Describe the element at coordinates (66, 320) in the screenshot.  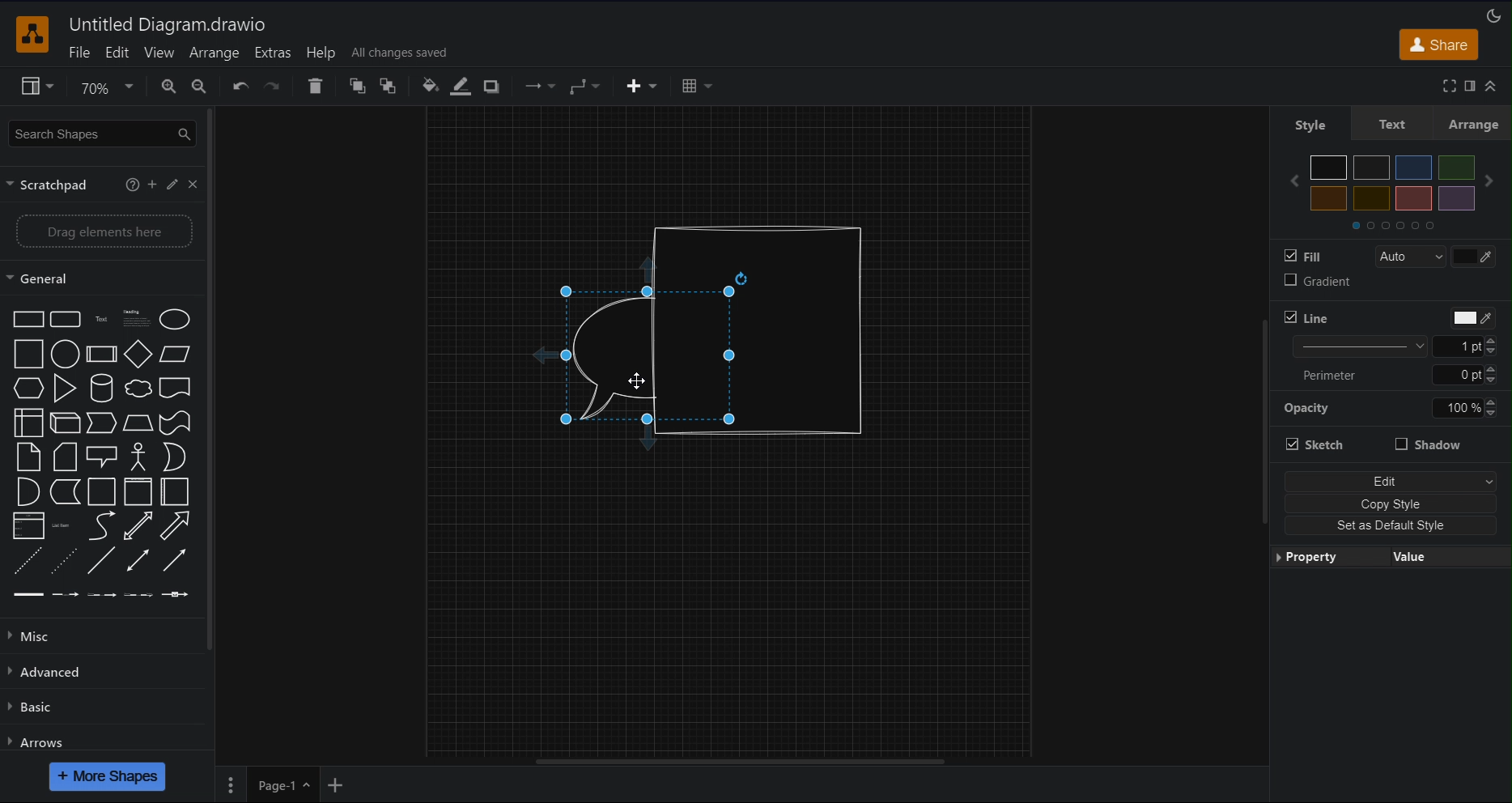
I see `Rounded rectangle` at that location.